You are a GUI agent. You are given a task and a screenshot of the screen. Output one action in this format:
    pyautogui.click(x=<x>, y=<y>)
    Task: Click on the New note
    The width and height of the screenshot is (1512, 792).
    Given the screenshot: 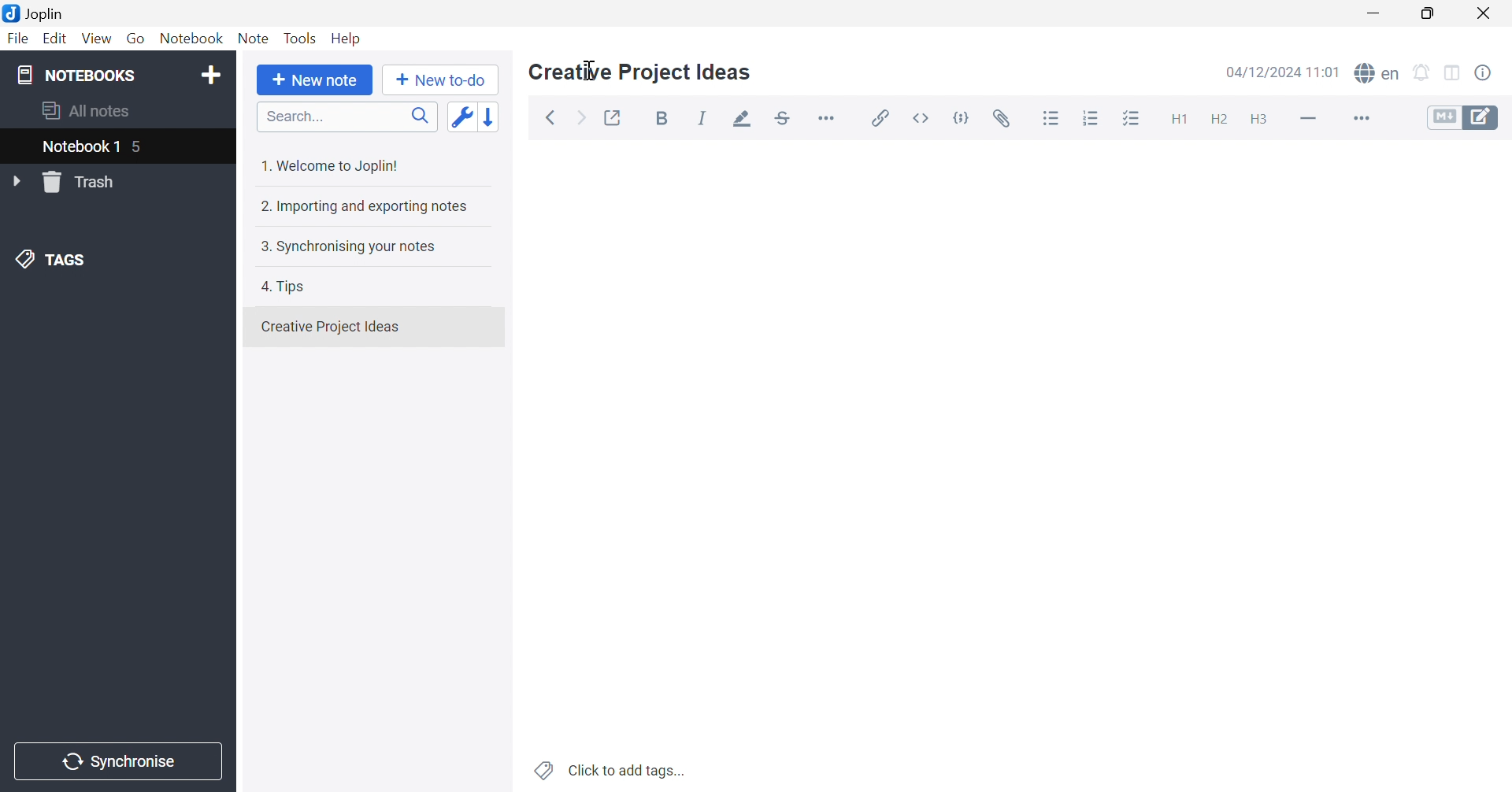 What is the action you would take?
    pyautogui.click(x=313, y=80)
    